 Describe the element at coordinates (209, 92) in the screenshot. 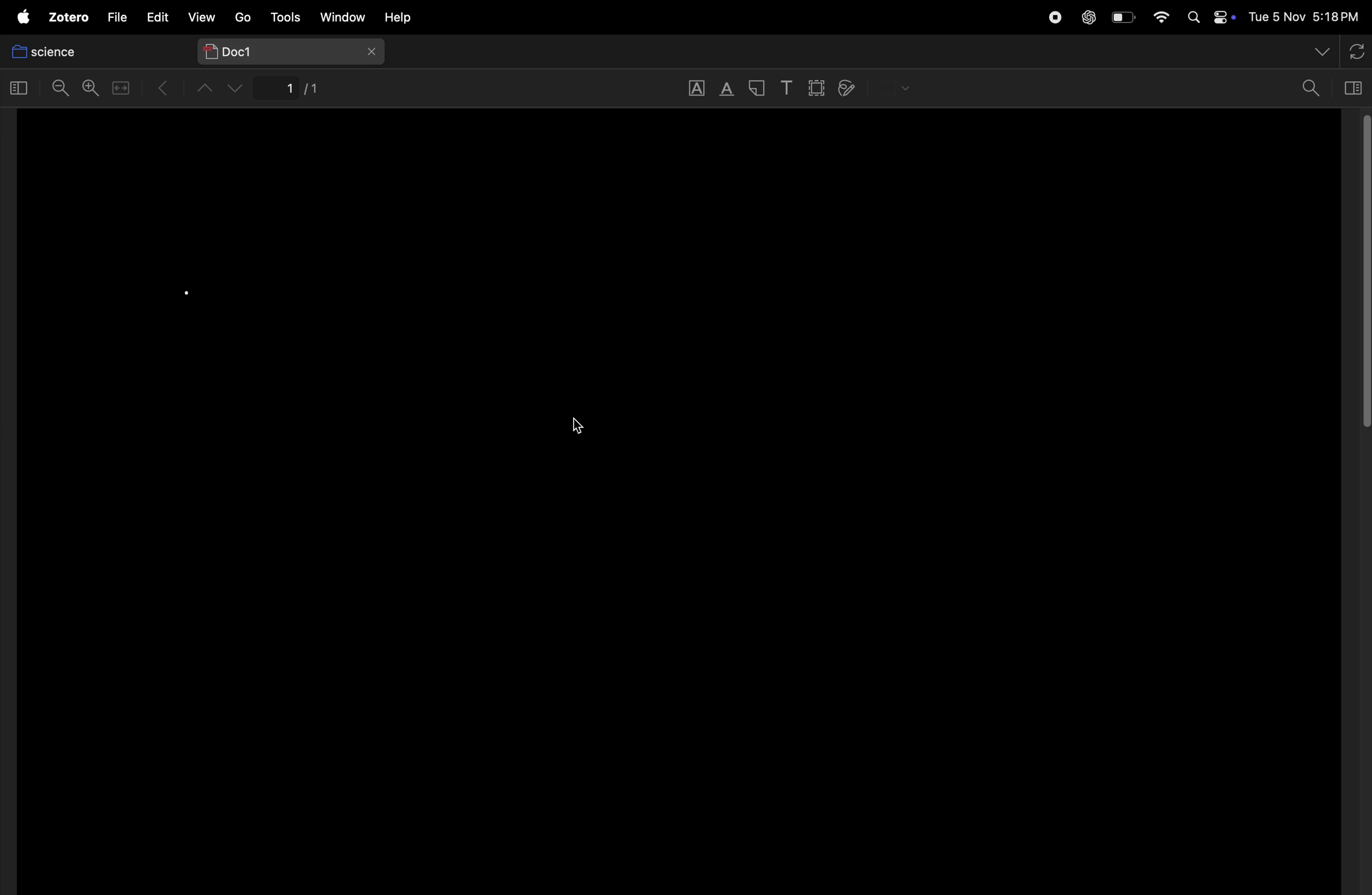

I see `up` at that location.